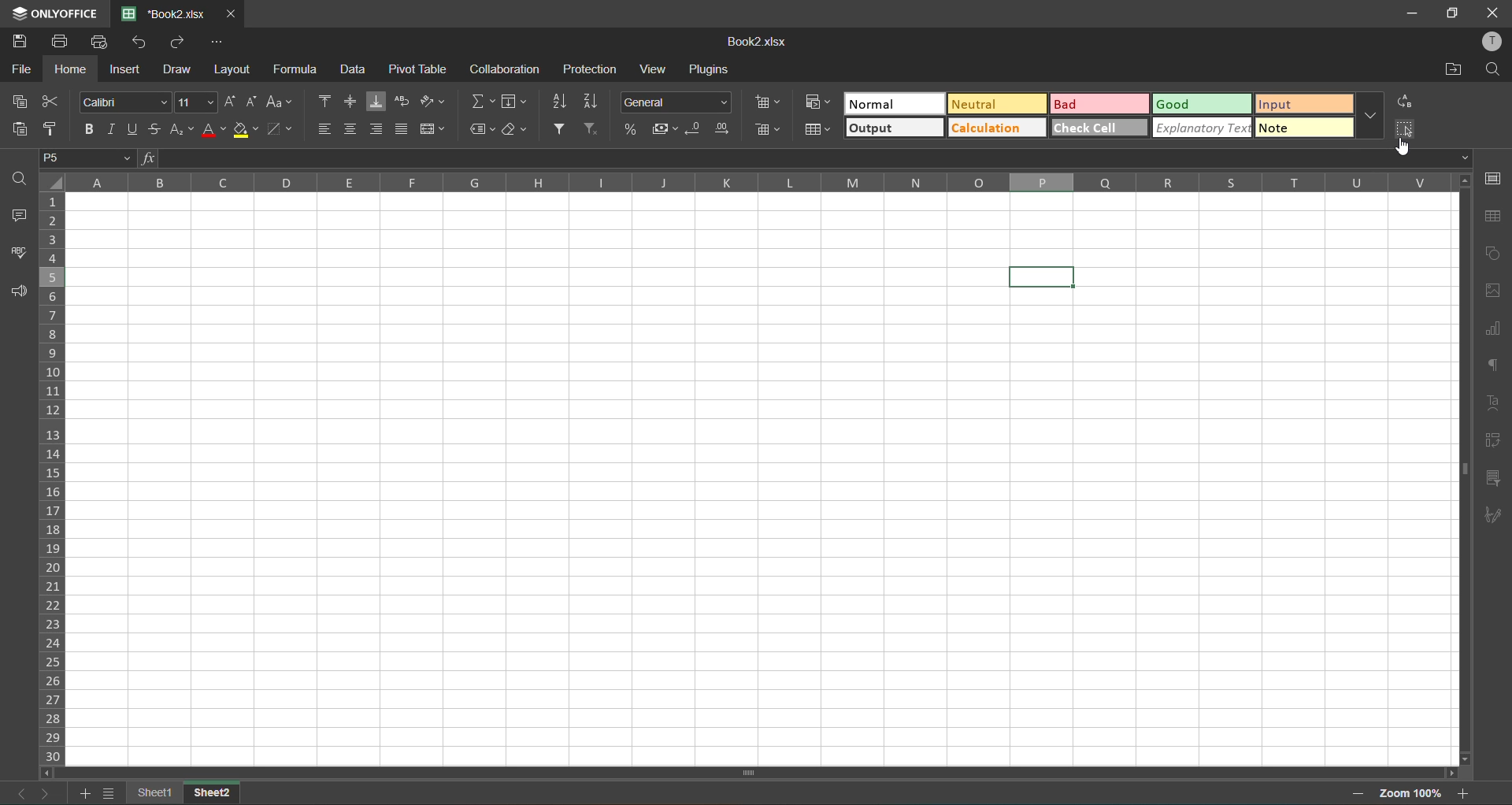 The height and width of the screenshot is (805, 1512). I want to click on replace, so click(1404, 102).